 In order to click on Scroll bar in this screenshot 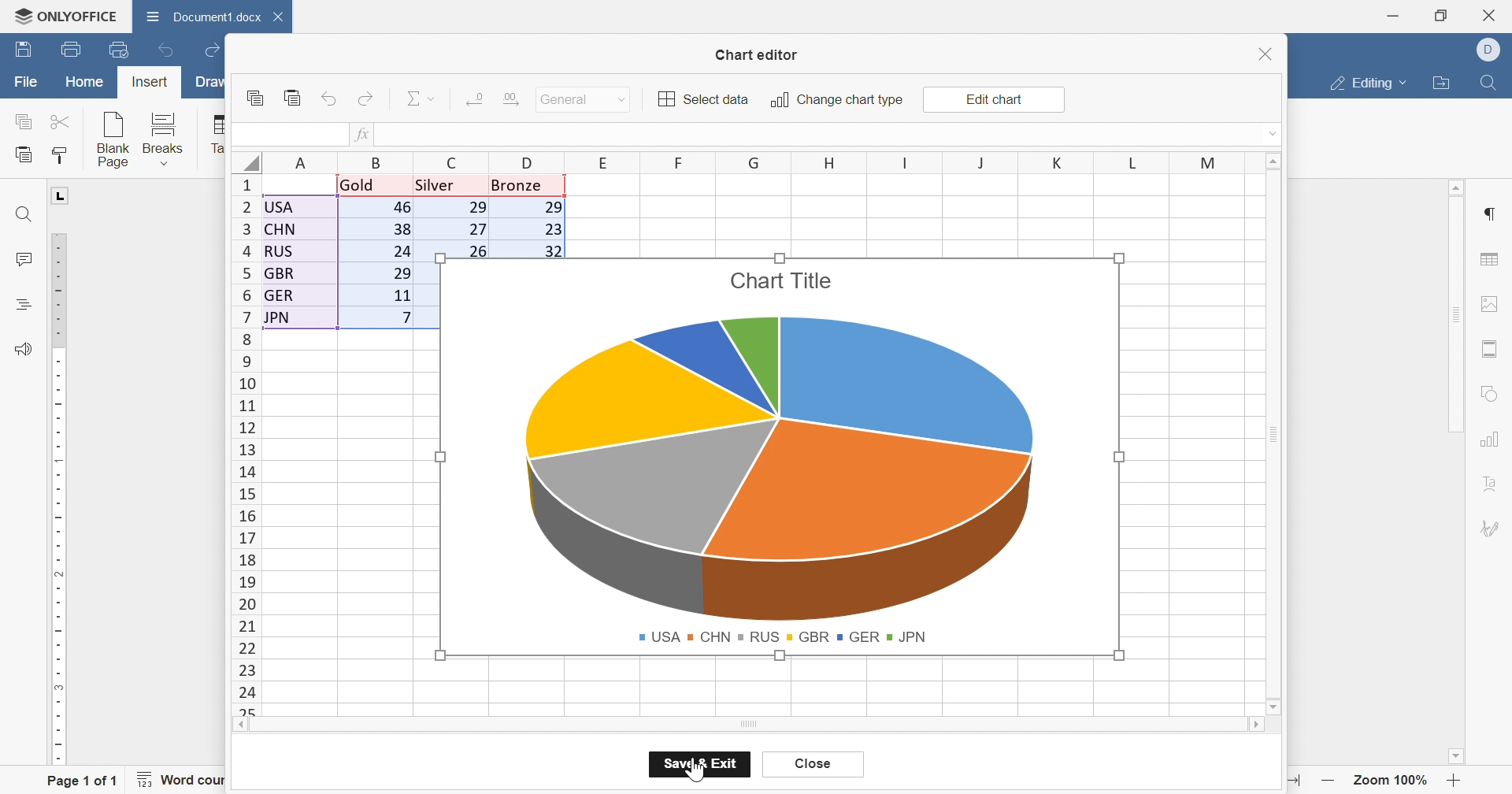, I will do `click(1278, 435)`.